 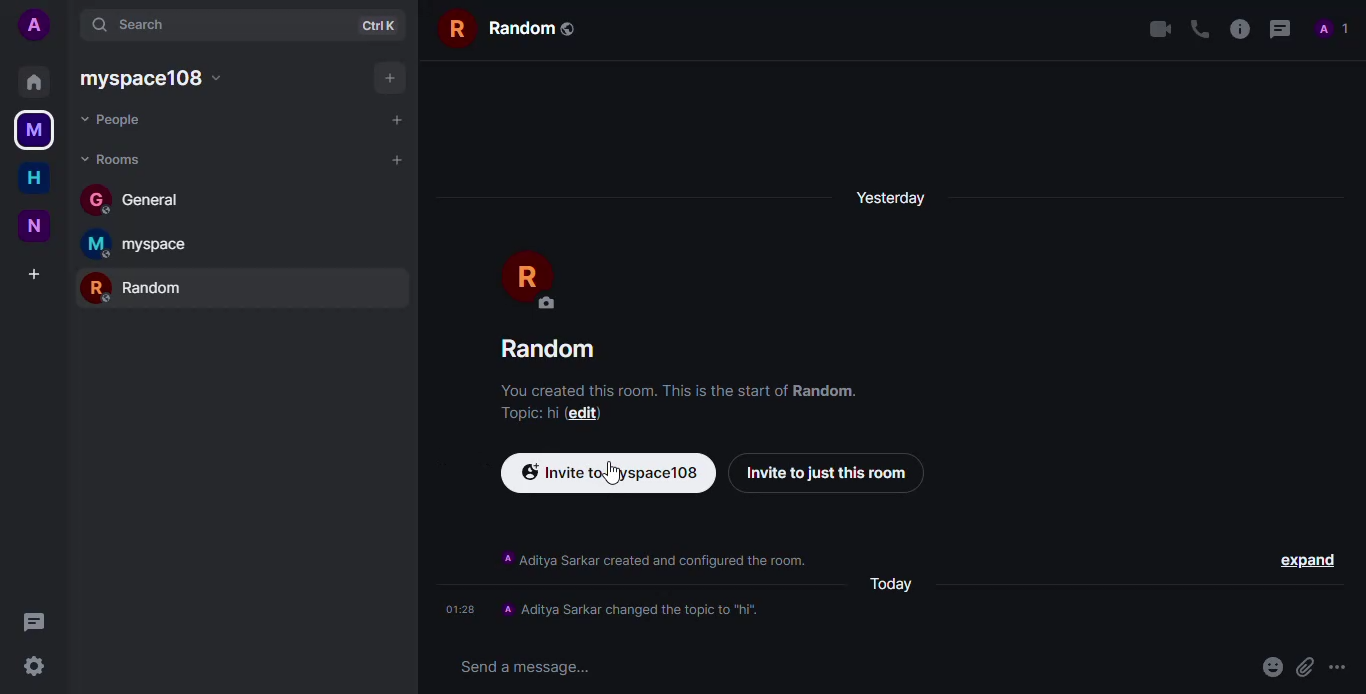 I want to click on add, so click(x=396, y=118).